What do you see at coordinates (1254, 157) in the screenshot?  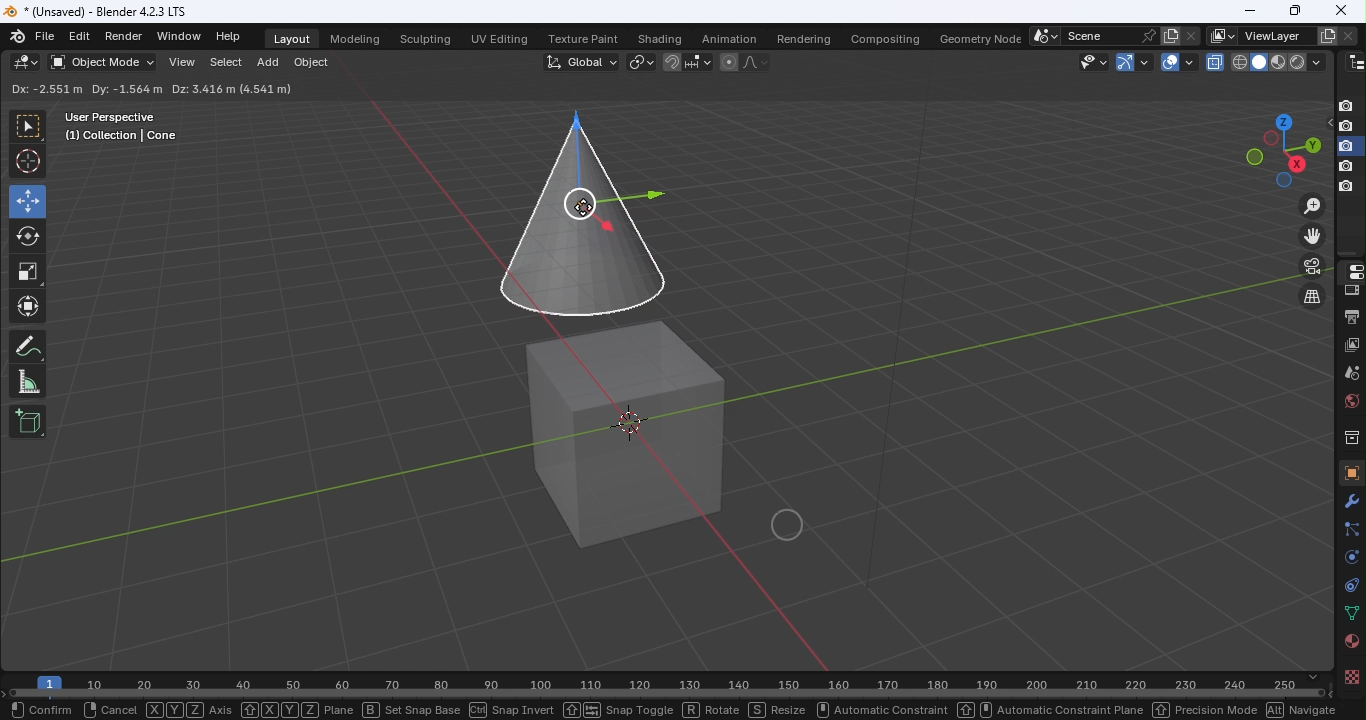 I see `Rotate the view` at bounding box center [1254, 157].